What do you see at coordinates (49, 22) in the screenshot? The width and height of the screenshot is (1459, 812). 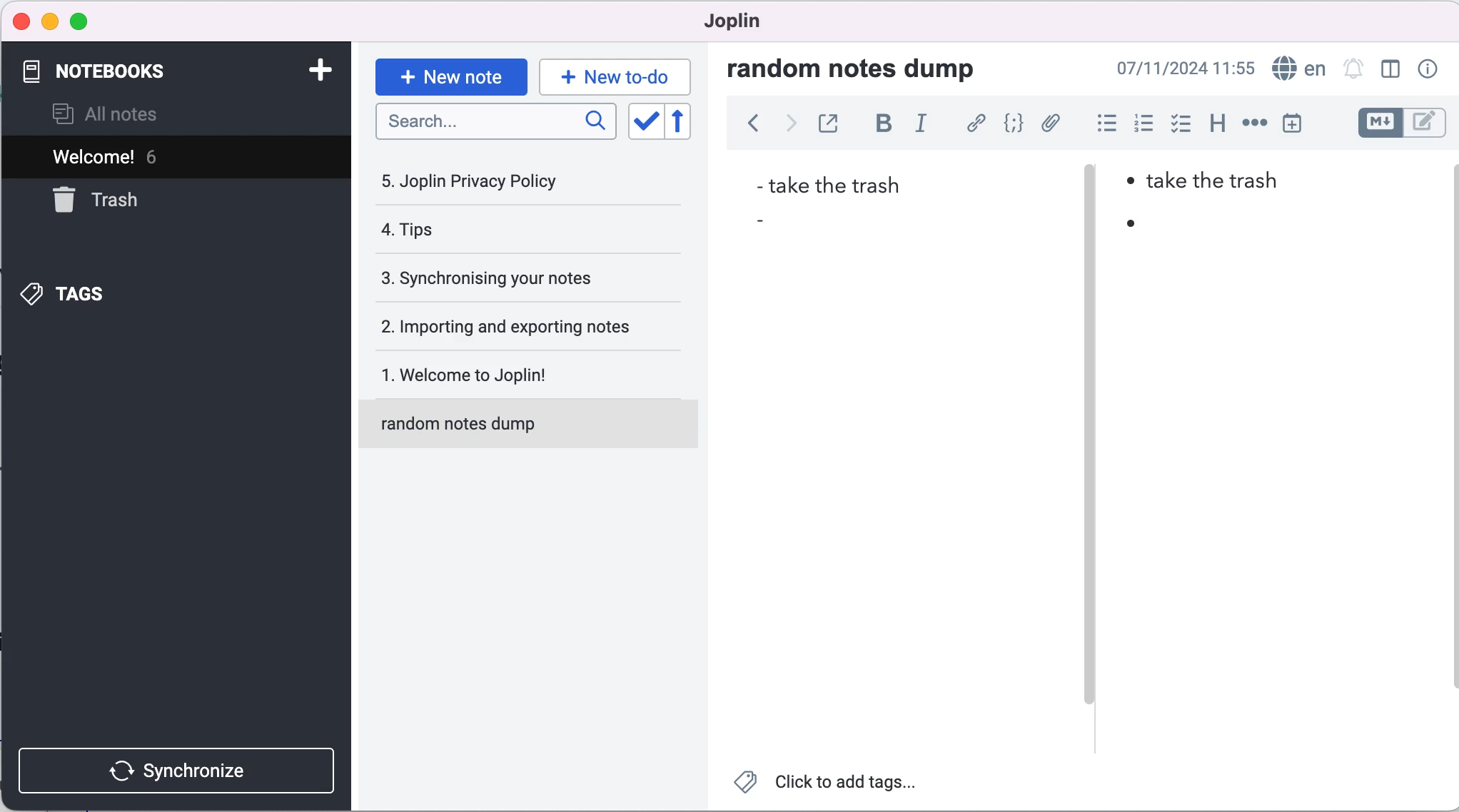 I see `minimize` at bounding box center [49, 22].